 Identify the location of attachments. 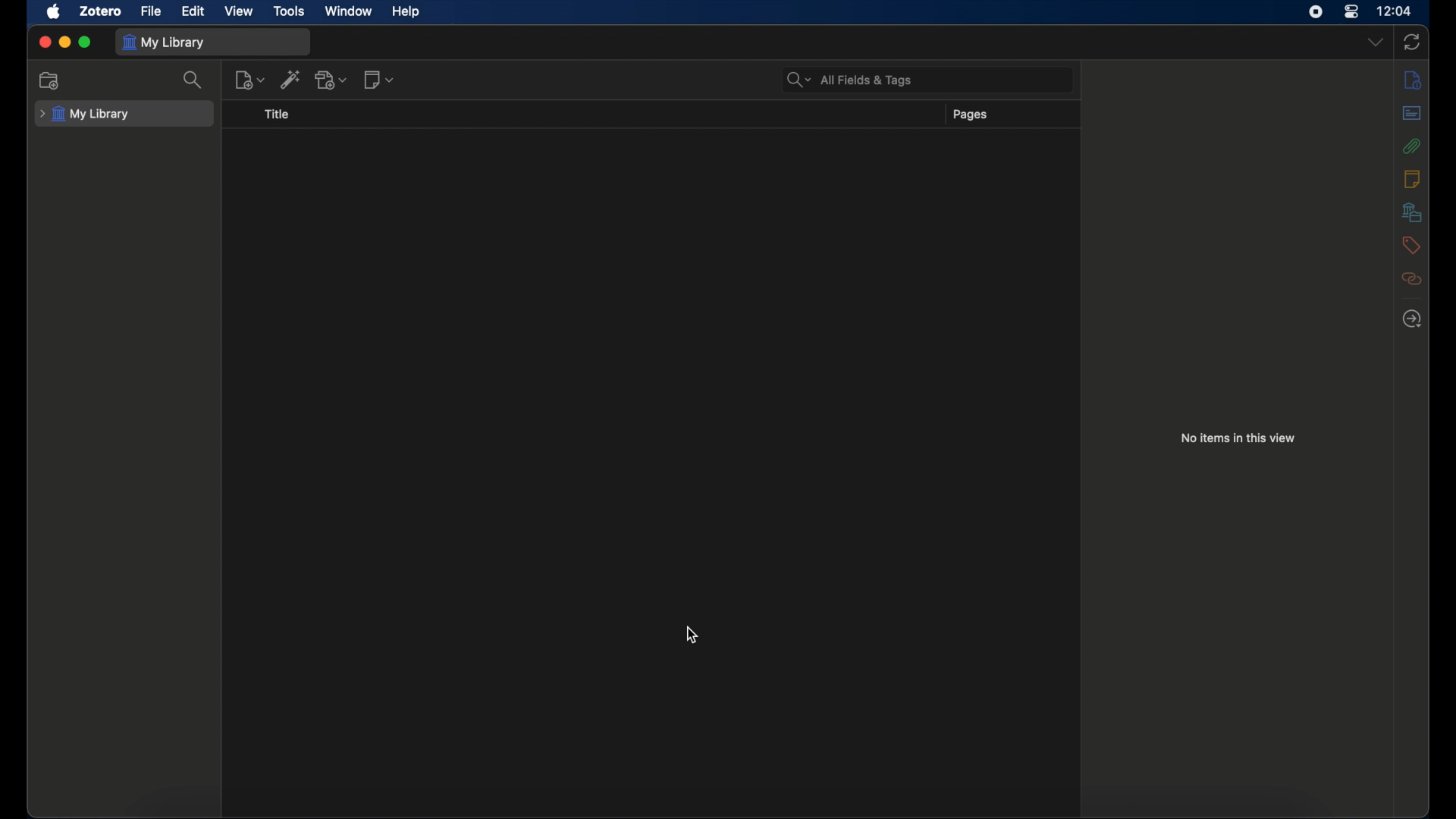
(1411, 146).